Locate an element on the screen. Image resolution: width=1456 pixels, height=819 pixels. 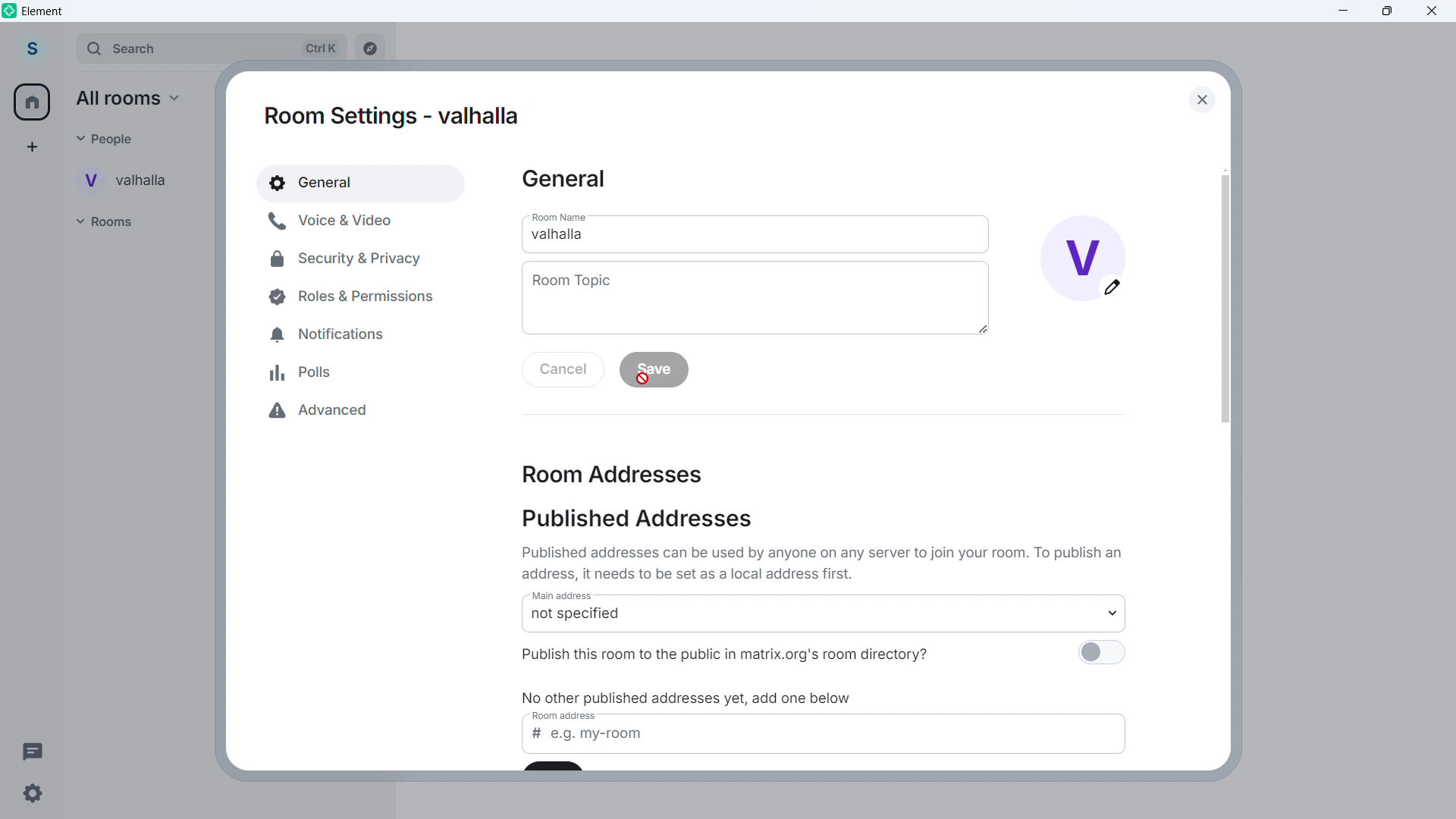
no other published addresses yet,add one below is located at coordinates (691, 698).